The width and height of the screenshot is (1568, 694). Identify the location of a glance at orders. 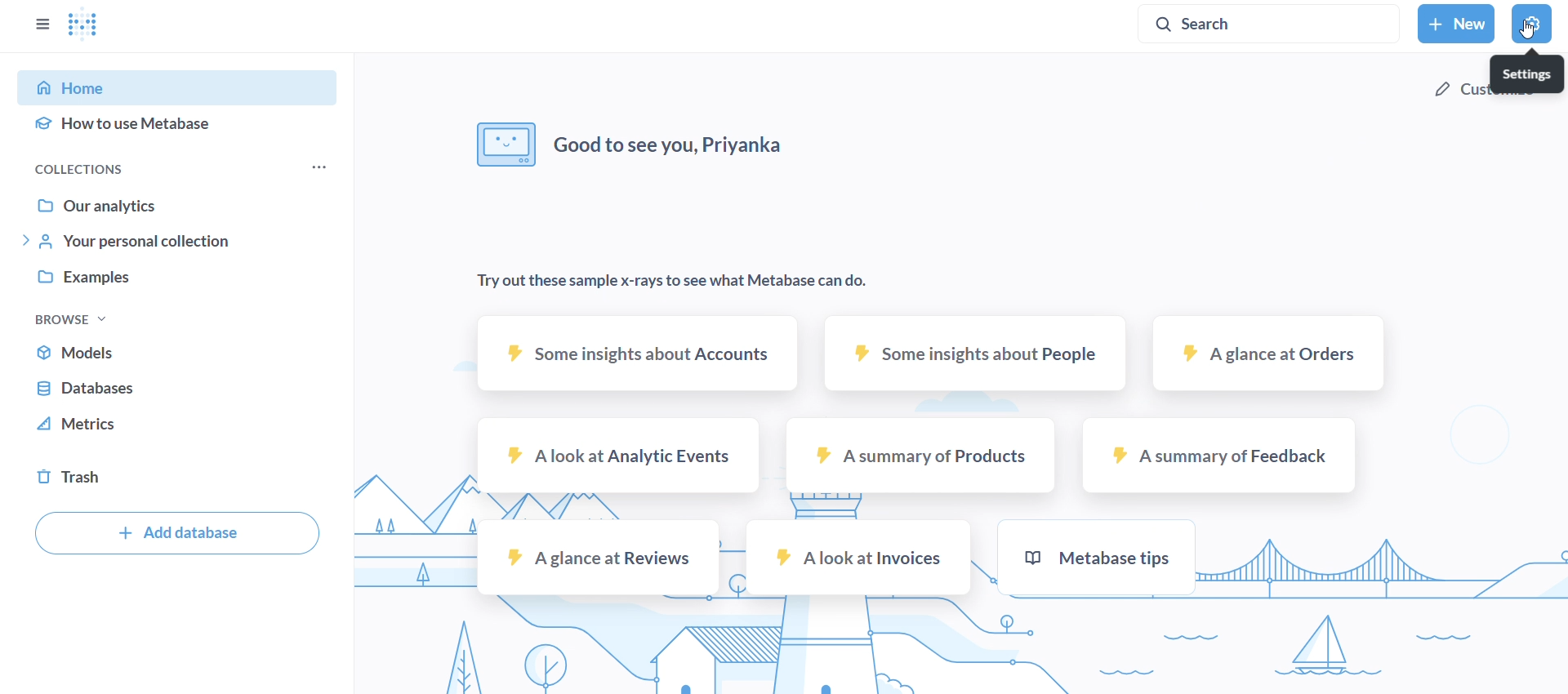
(1269, 352).